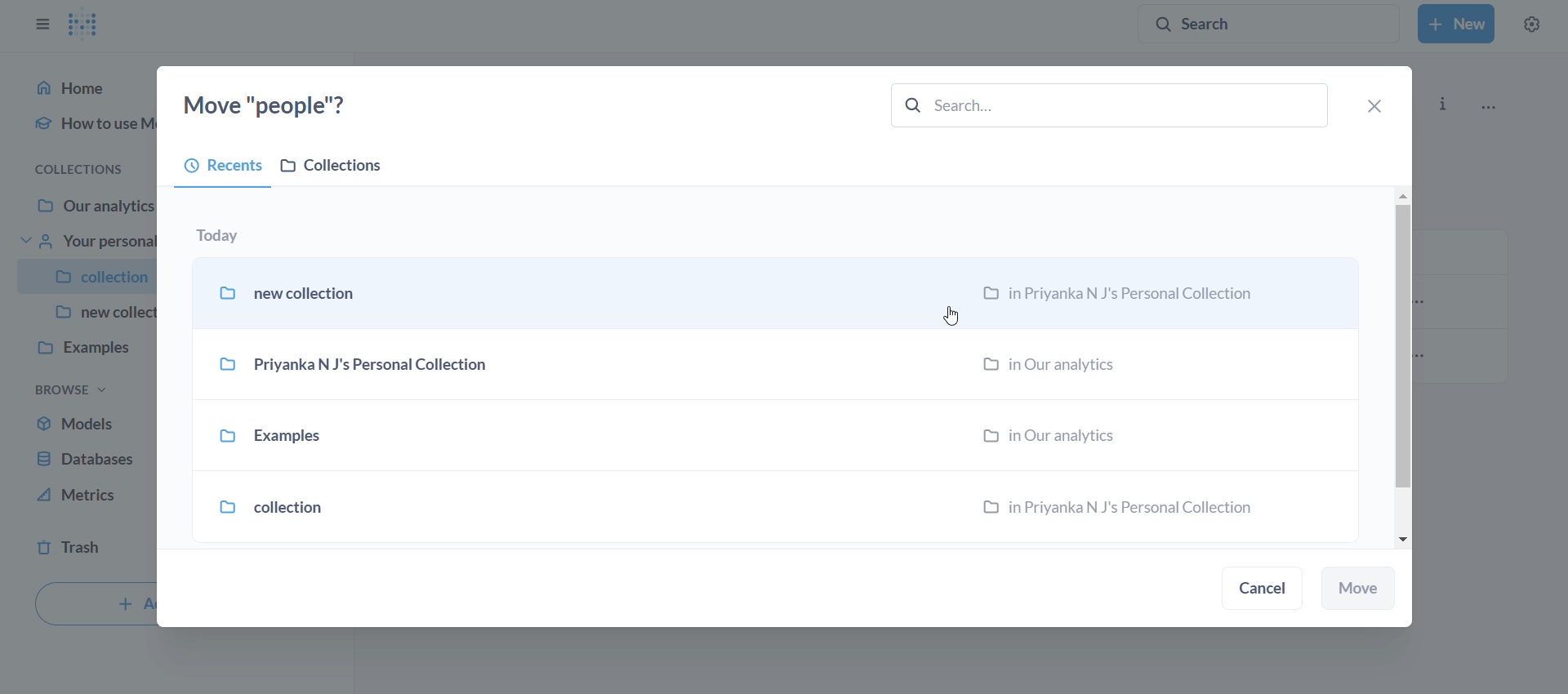  What do you see at coordinates (268, 107) in the screenshot?
I see `move "people"?` at bounding box center [268, 107].